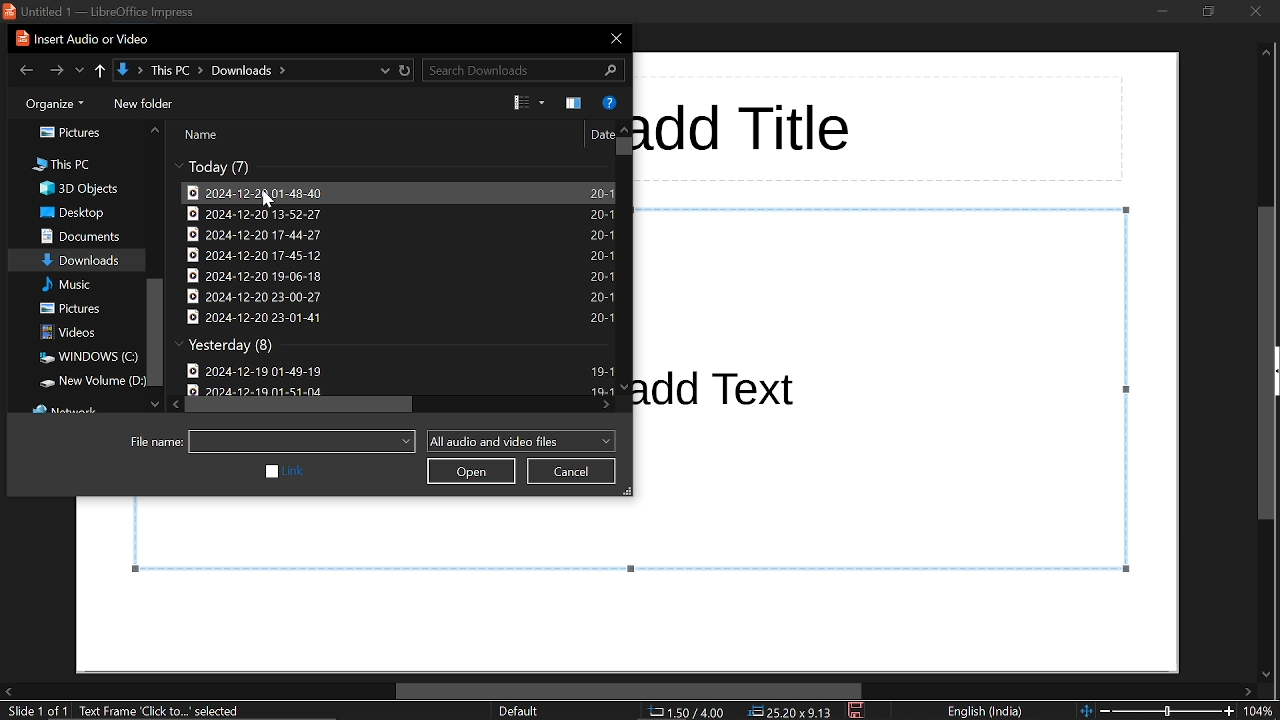 The height and width of the screenshot is (720, 1280). Describe the element at coordinates (1251, 14) in the screenshot. I see `close` at that location.